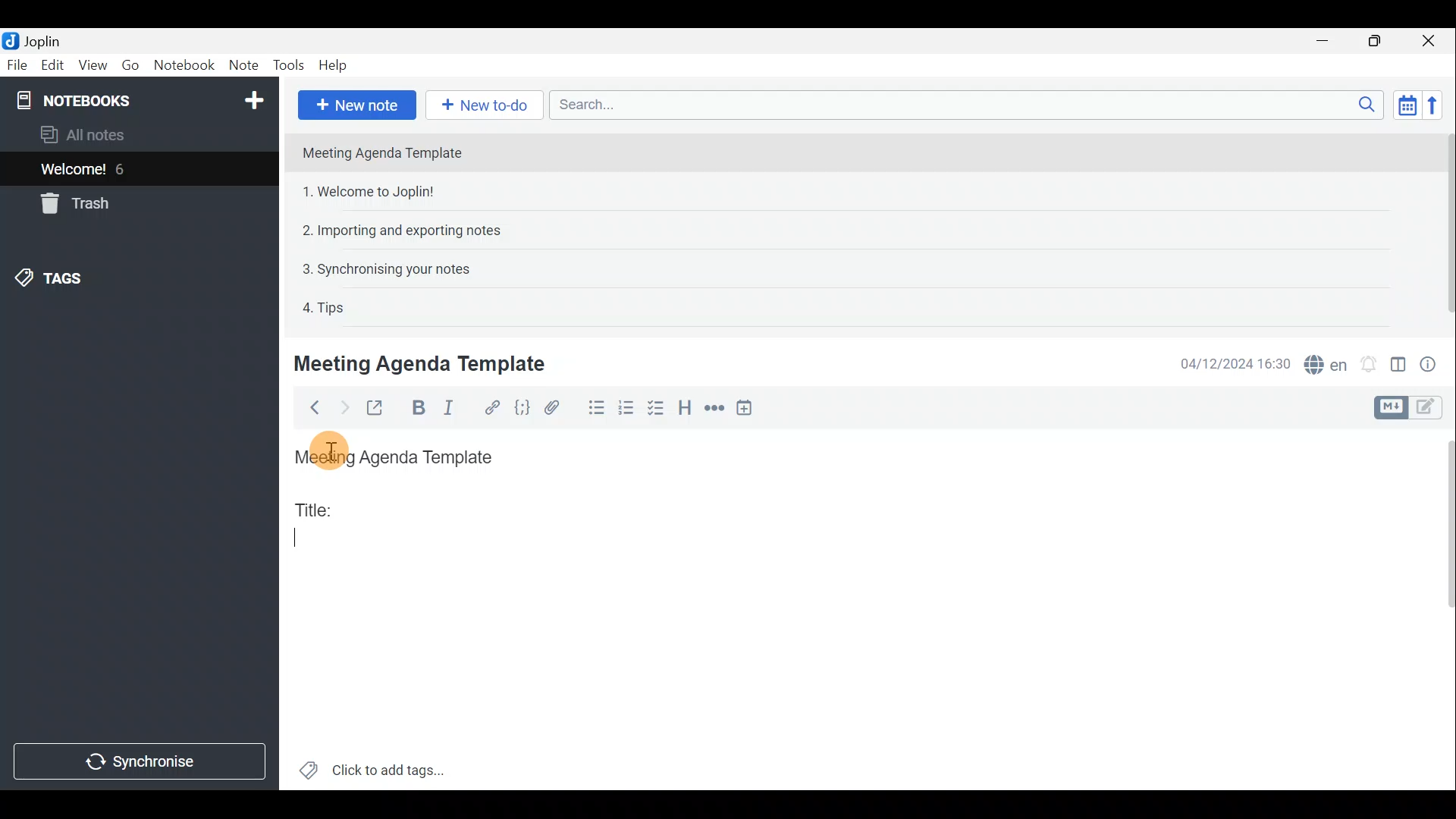  What do you see at coordinates (1370, 364) in the screenshot?
I see `Set alarm` at bounding box center [1370, 364].